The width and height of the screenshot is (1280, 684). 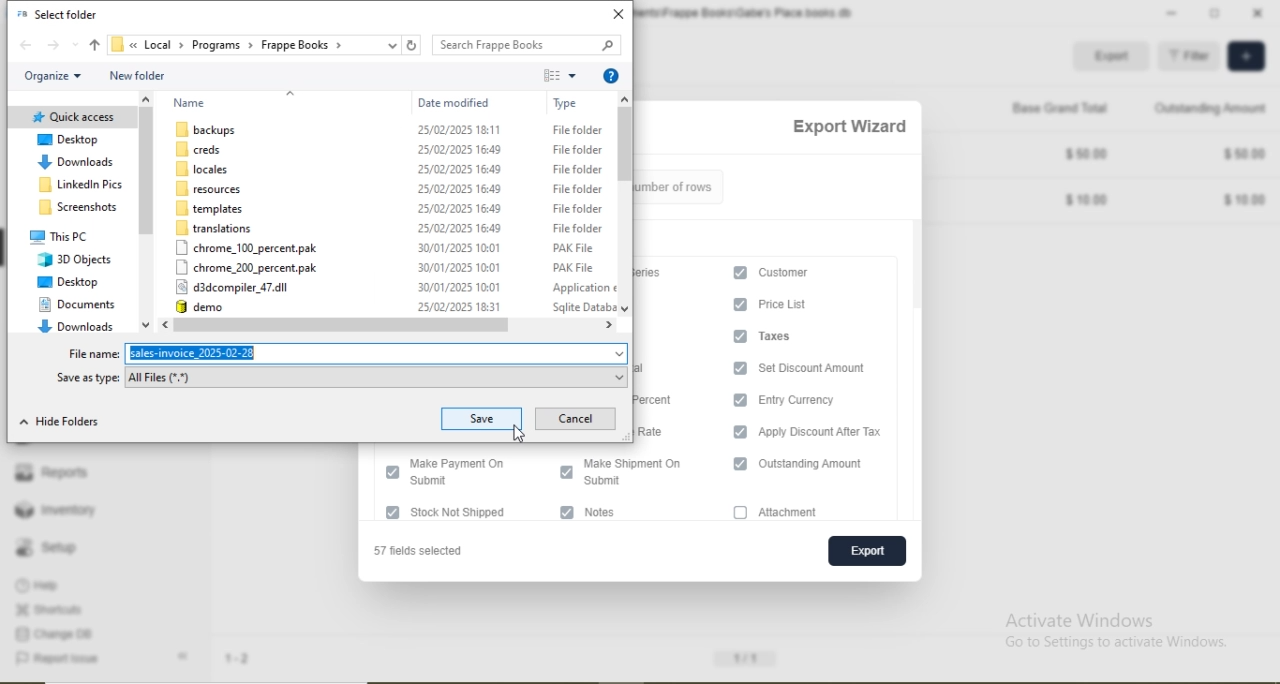 I want to click on refresh, so click(x=414, y=47).